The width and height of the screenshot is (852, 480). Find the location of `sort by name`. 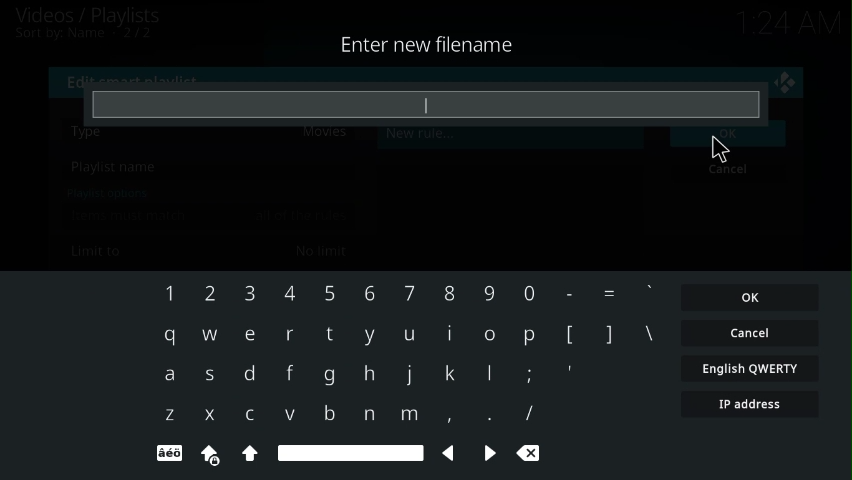

sort by name is located at coordinates (87, 36).